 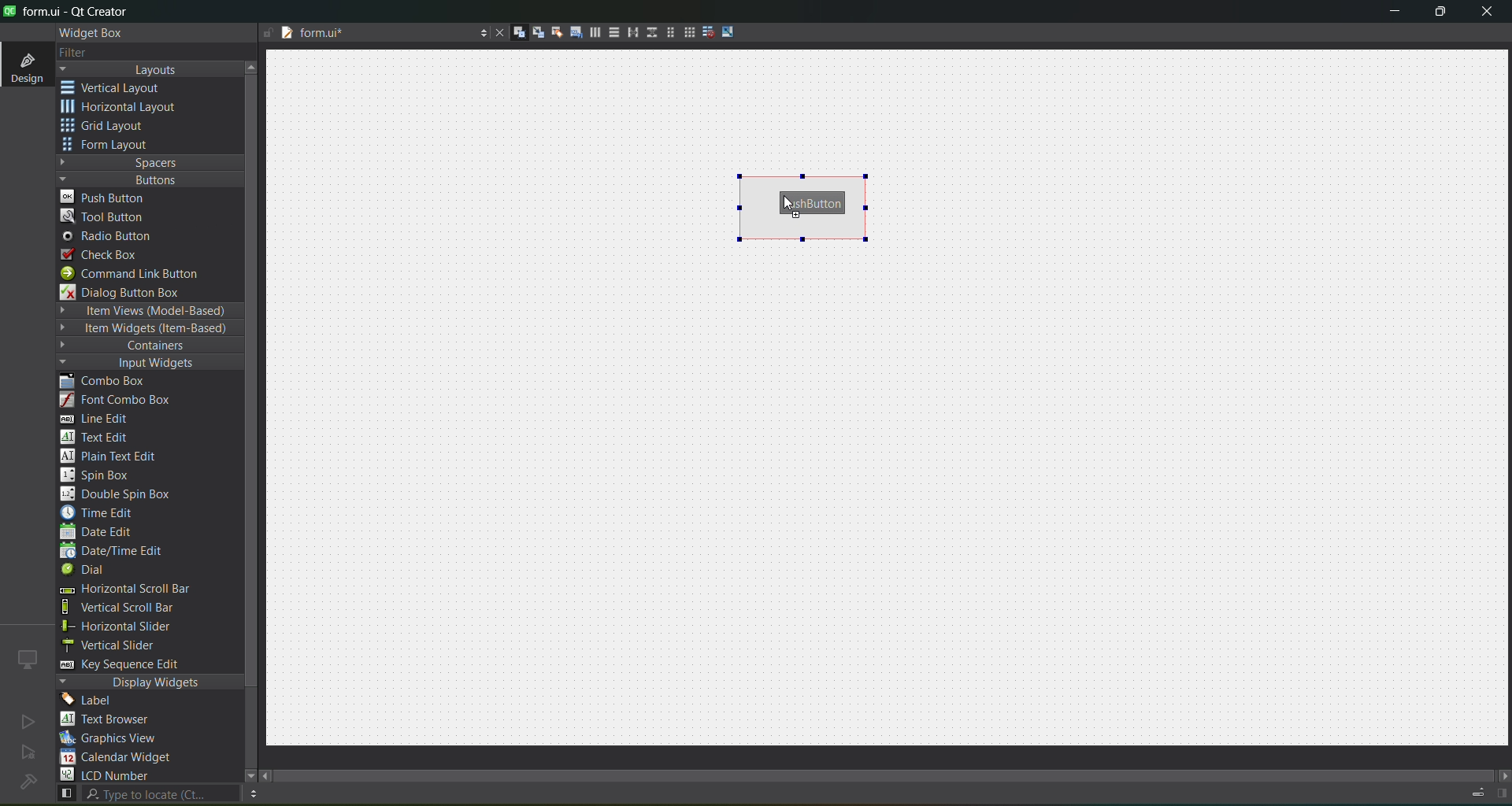 What do you see at coordinates (102, 419) in the screenshot?
I see `line edit ` at bounding box center [102, 419].